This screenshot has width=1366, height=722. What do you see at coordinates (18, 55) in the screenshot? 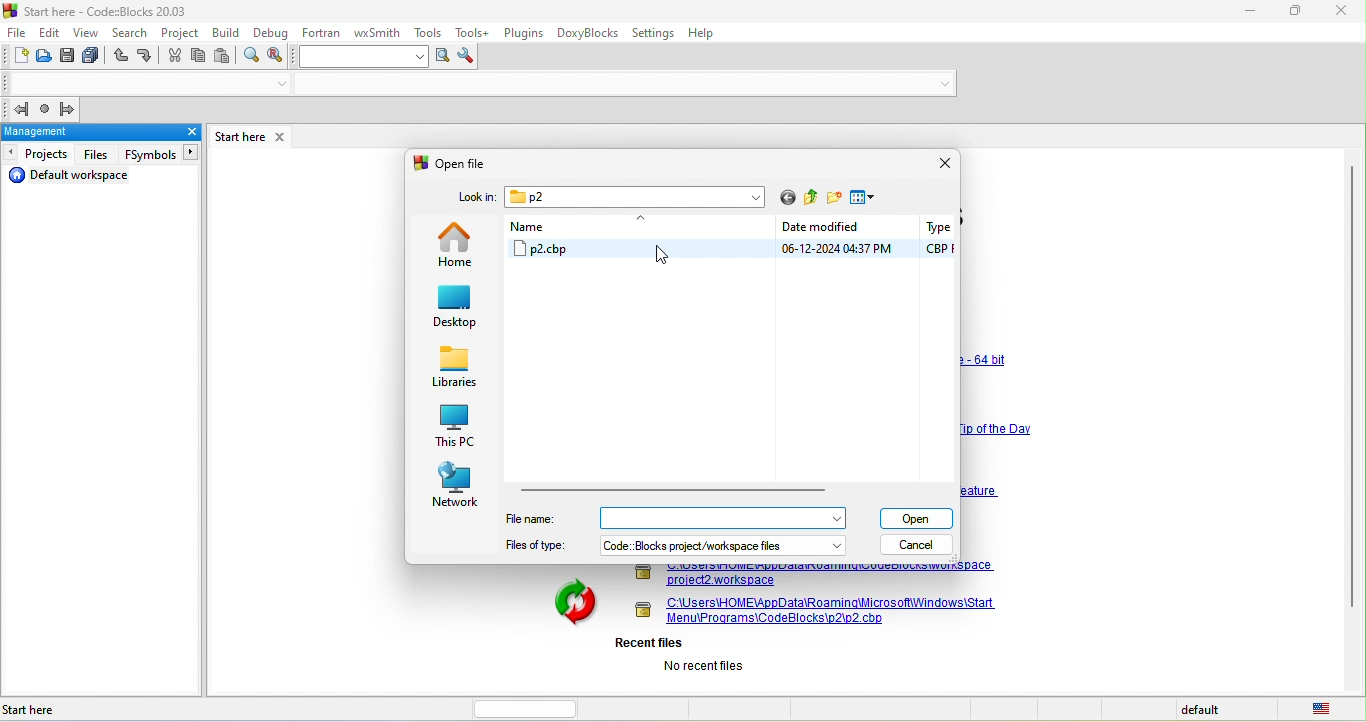
I see `new` at bounding box center [18, 55].